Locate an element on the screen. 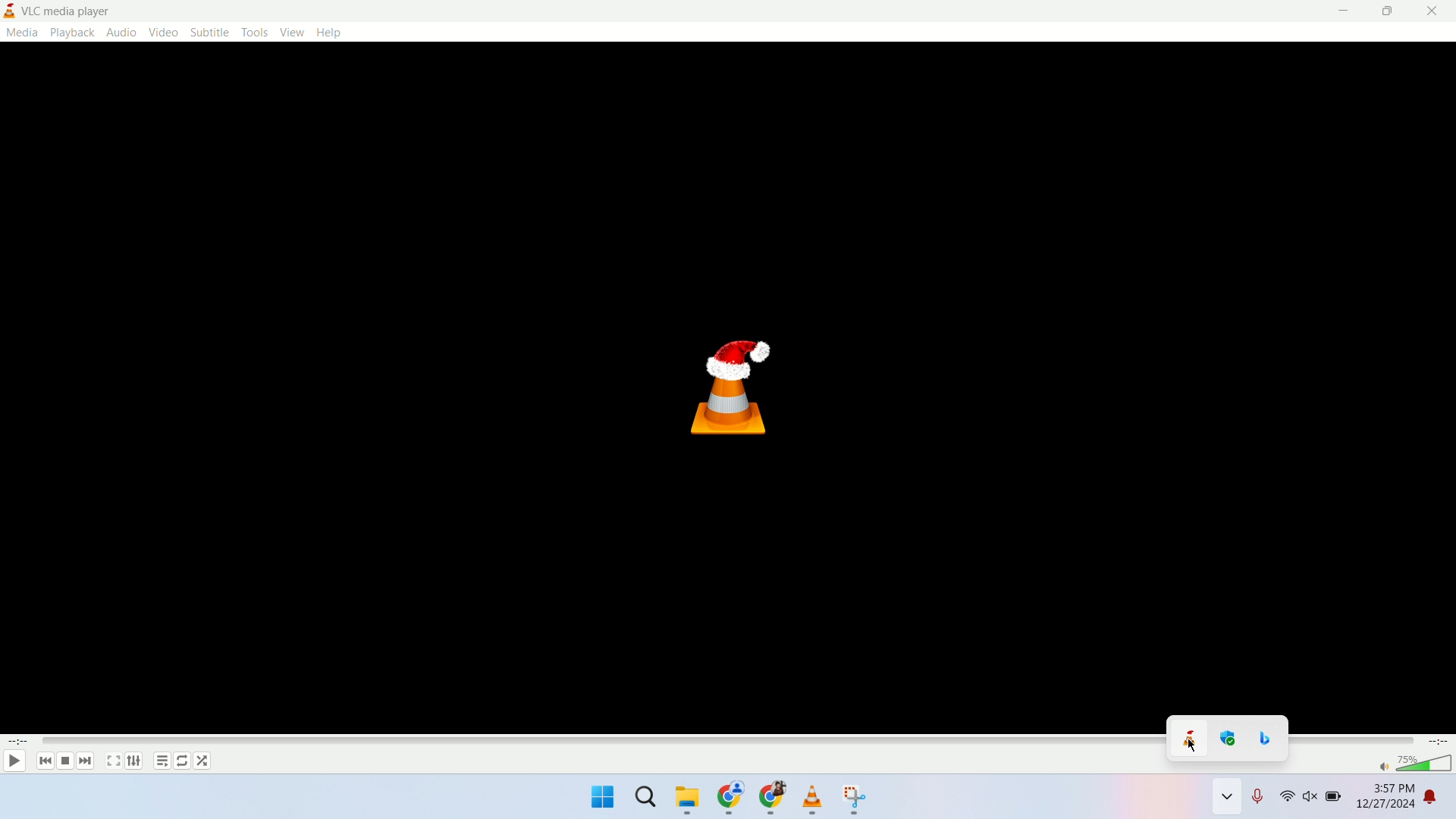 This screenshot has width=1456, height=819. search is located at coordinates (648, 802).